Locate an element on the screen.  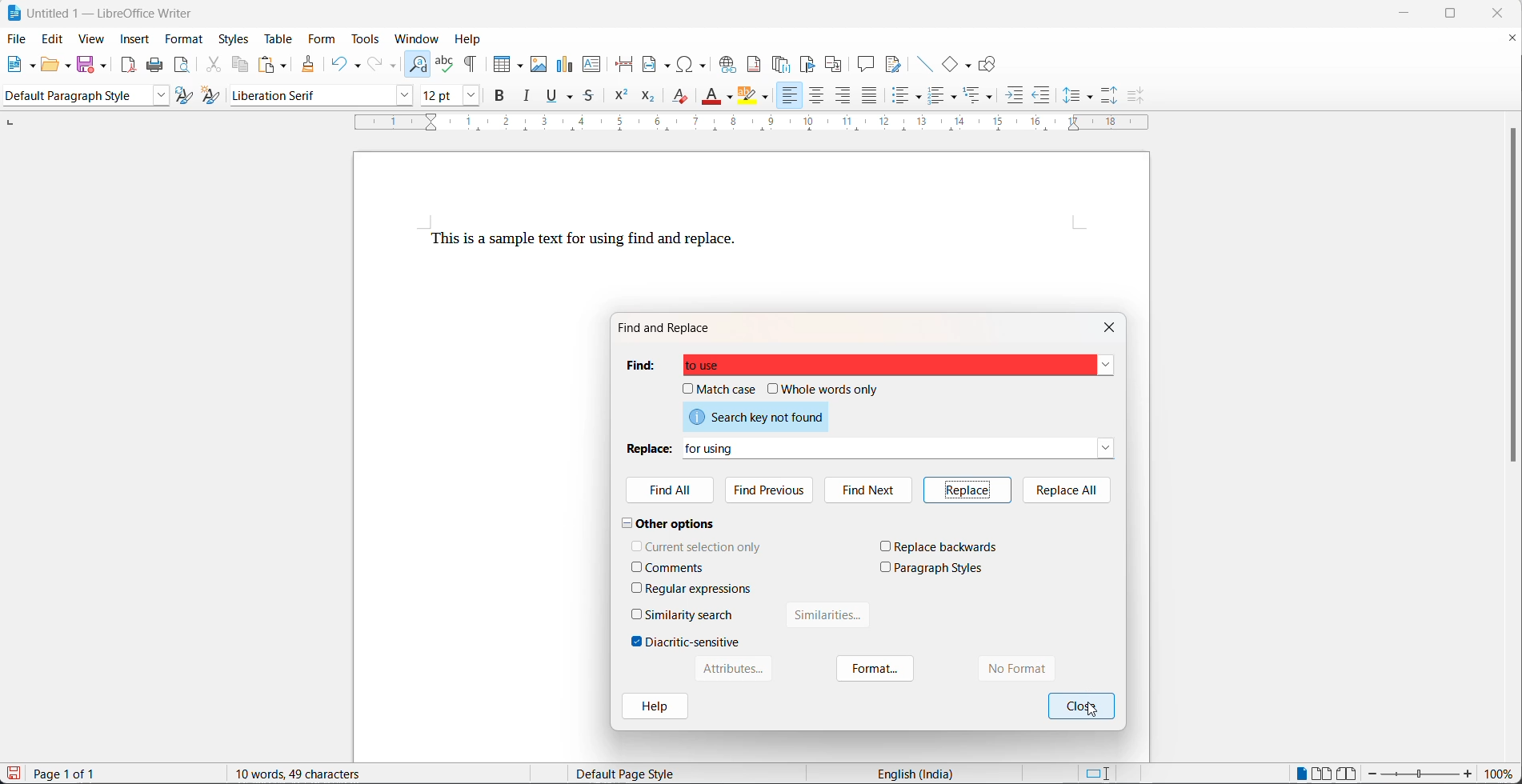
page break is located at coordinates (626, 64).